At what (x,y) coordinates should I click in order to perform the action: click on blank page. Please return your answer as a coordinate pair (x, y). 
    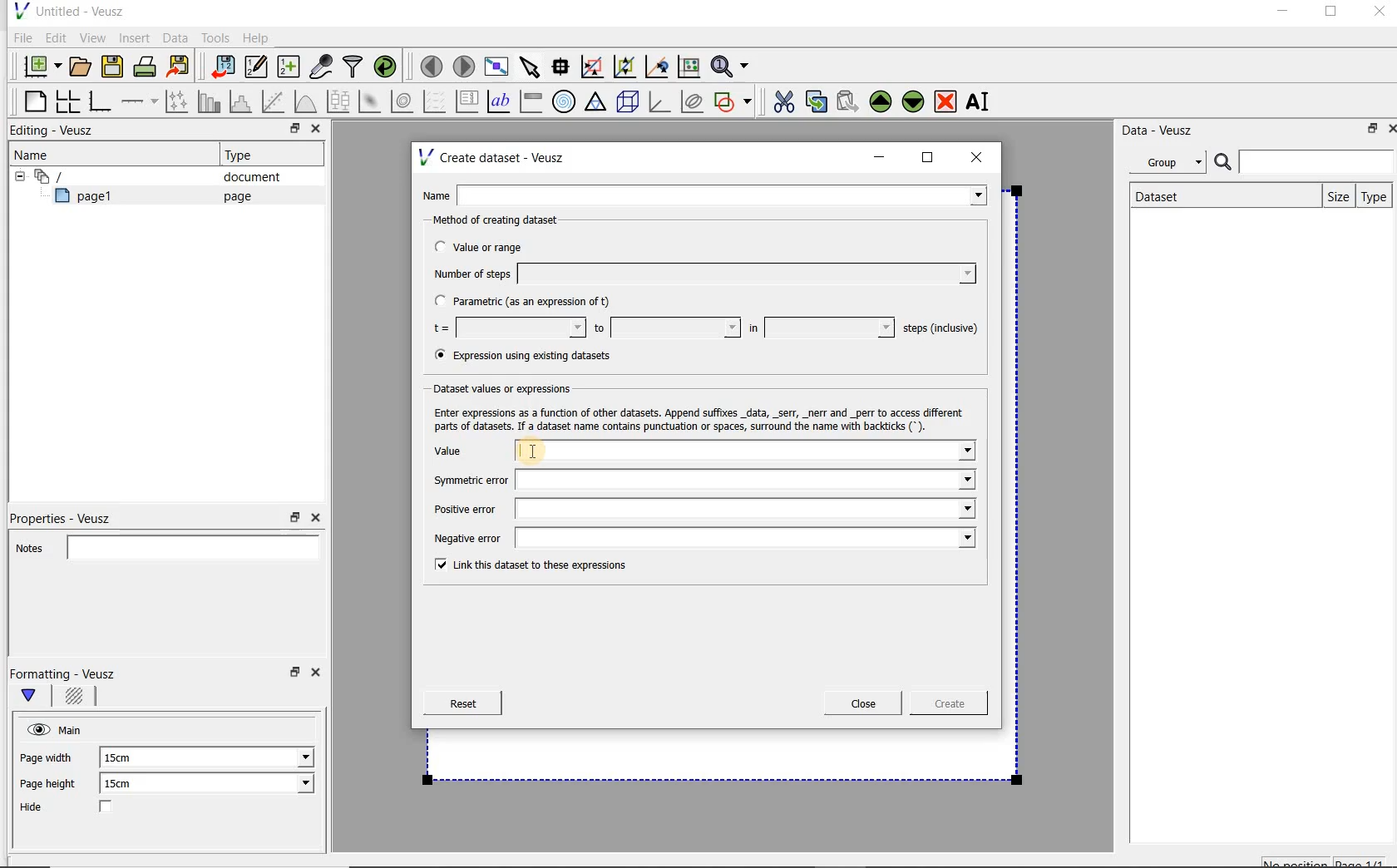
    Looking at the image, I should click on (32, 99).